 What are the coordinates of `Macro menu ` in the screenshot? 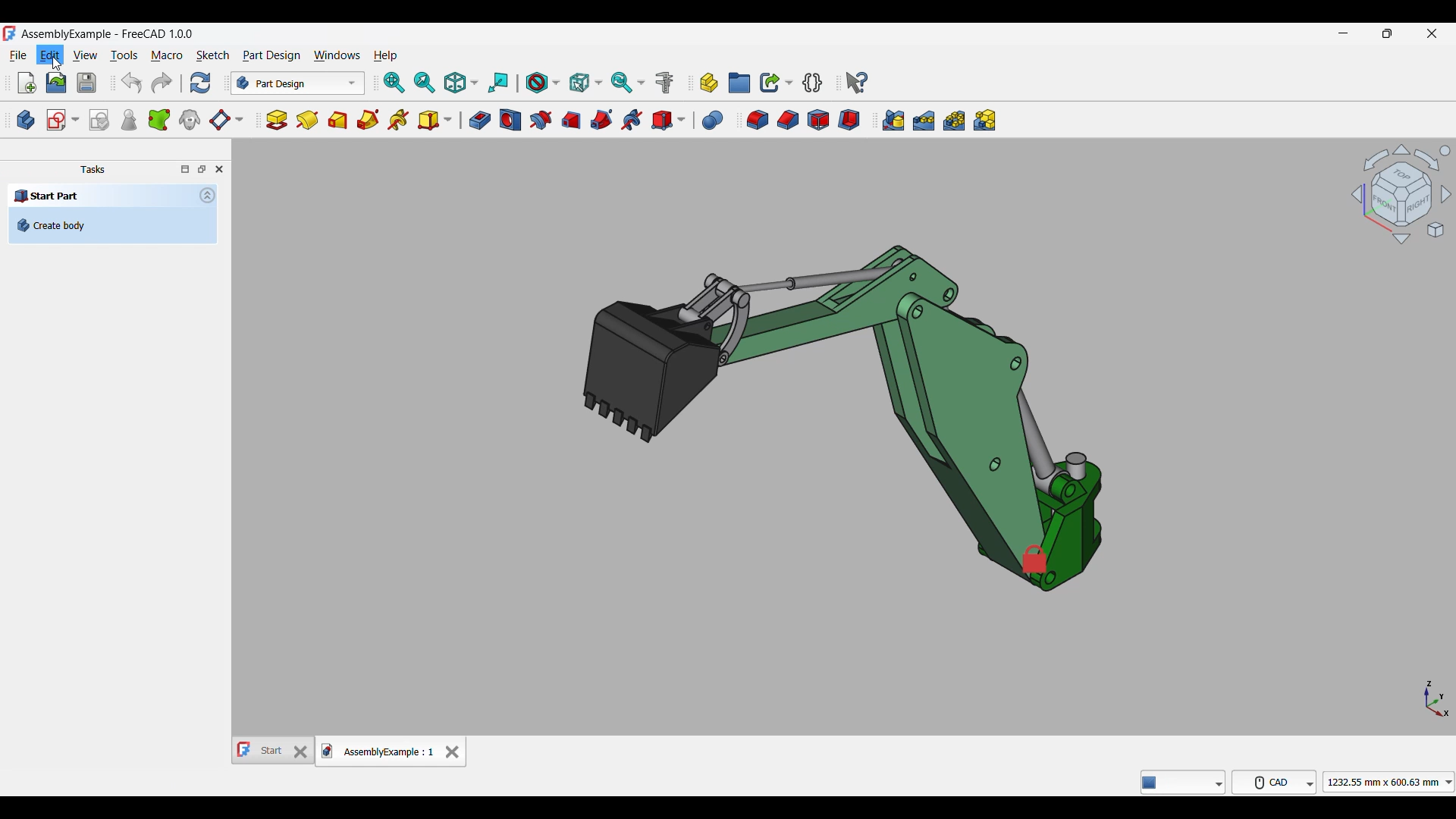 It's located at (166, 55).